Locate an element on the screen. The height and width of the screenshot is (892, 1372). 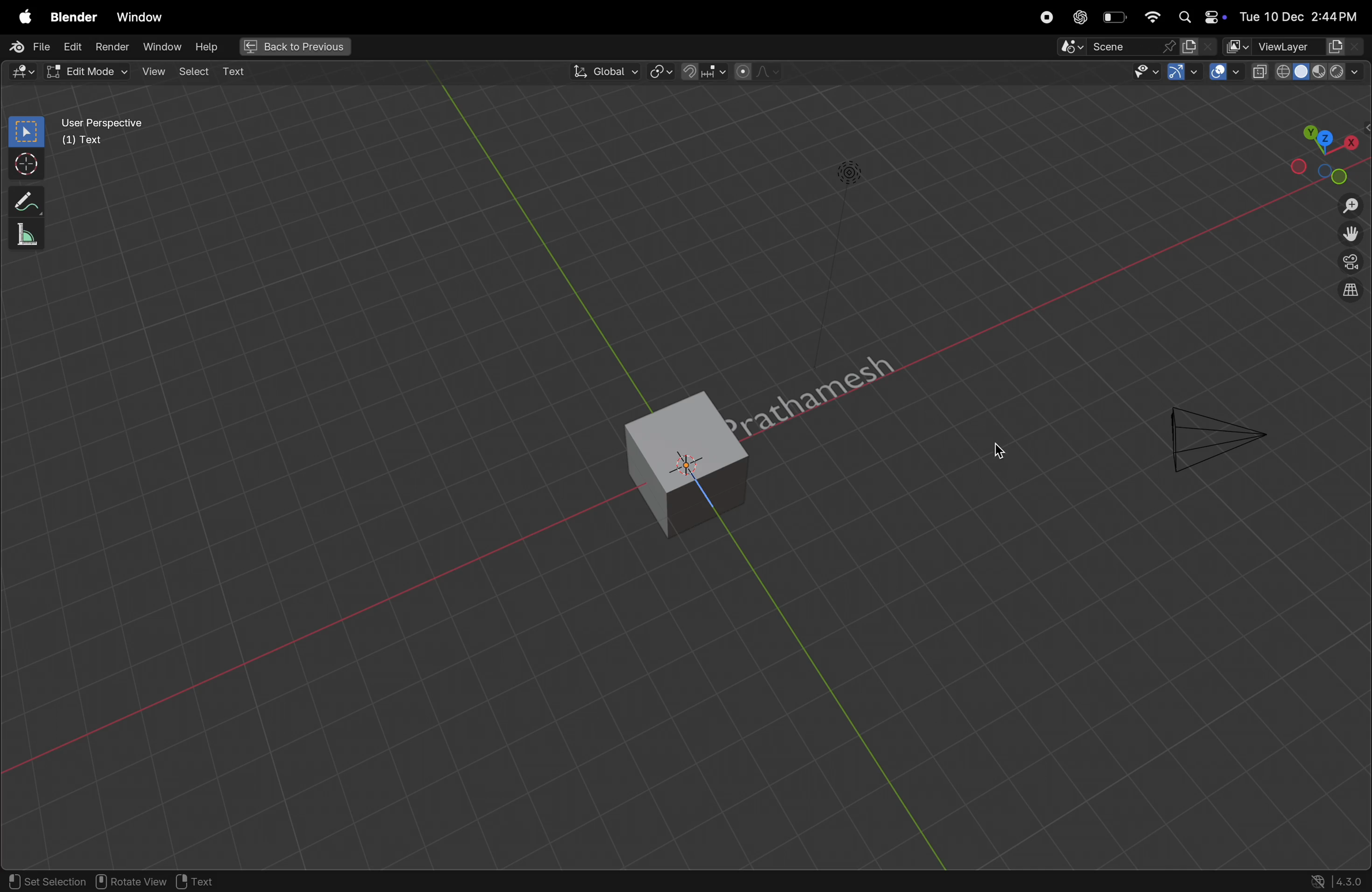
select is located at coordinates (194, 71).